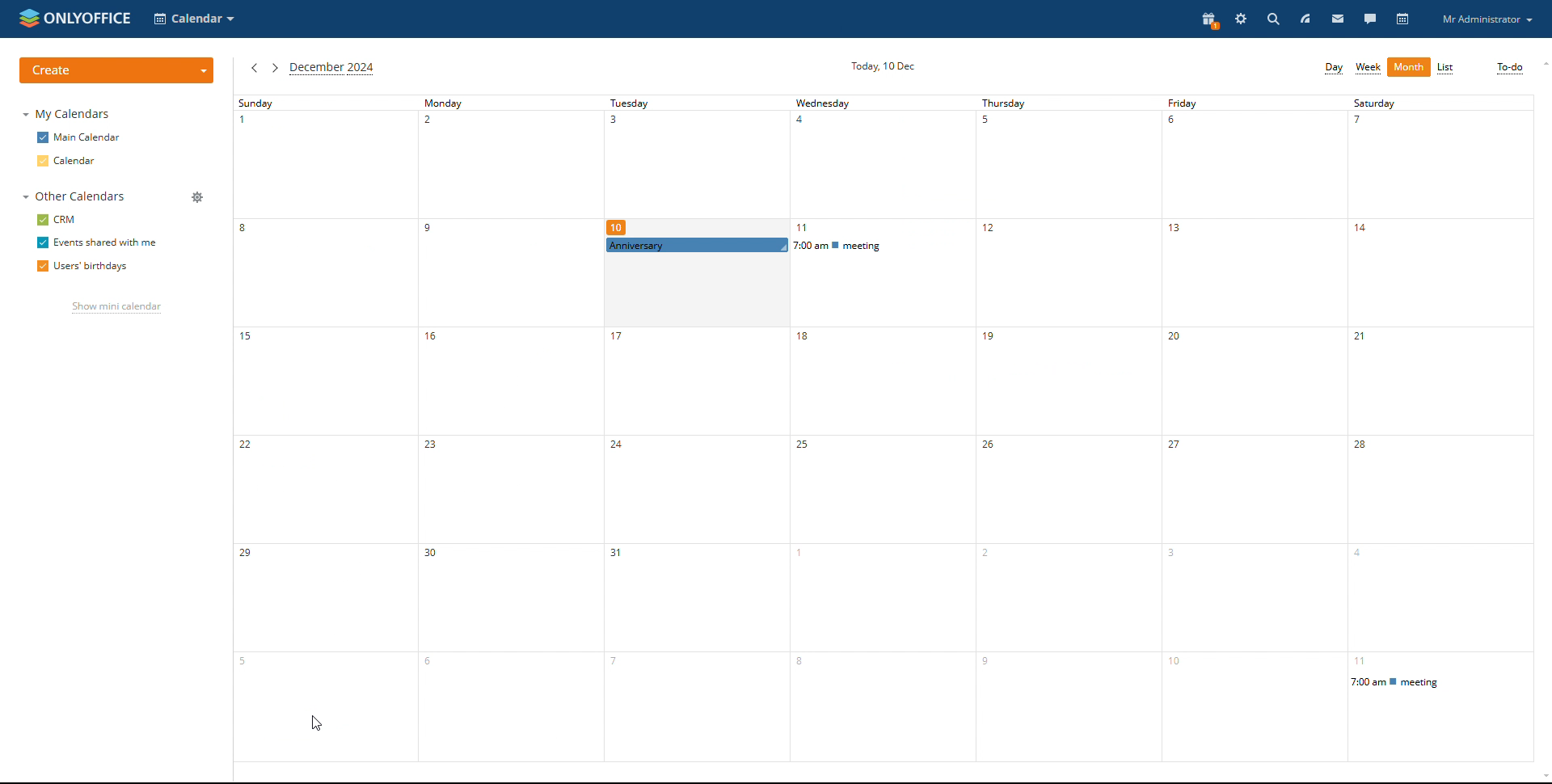 This screenshot has height=784, width=1552. I want to click on settings, so click(1240, 19).